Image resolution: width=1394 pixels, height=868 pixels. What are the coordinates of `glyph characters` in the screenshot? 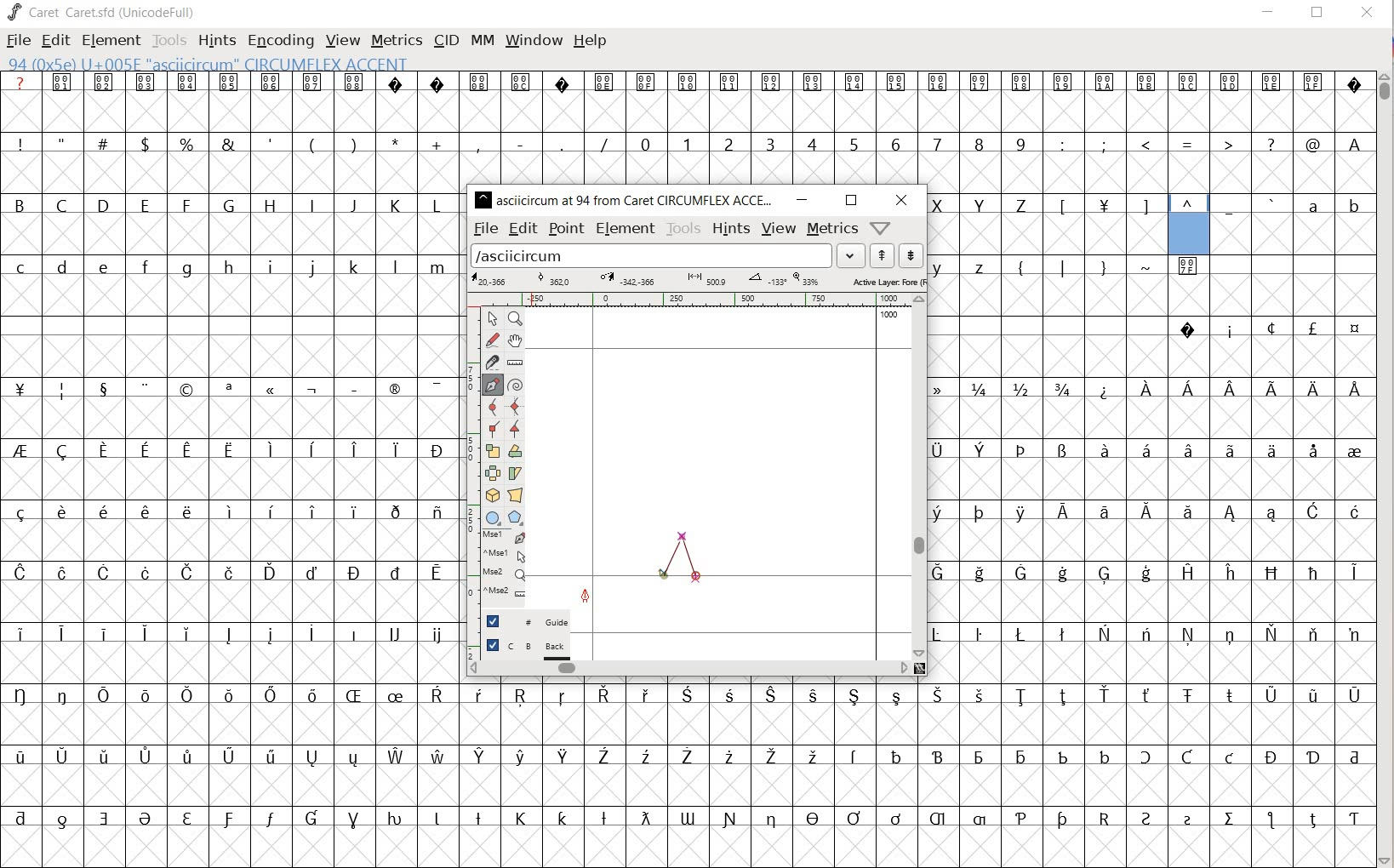 It's located at (1151, 468).